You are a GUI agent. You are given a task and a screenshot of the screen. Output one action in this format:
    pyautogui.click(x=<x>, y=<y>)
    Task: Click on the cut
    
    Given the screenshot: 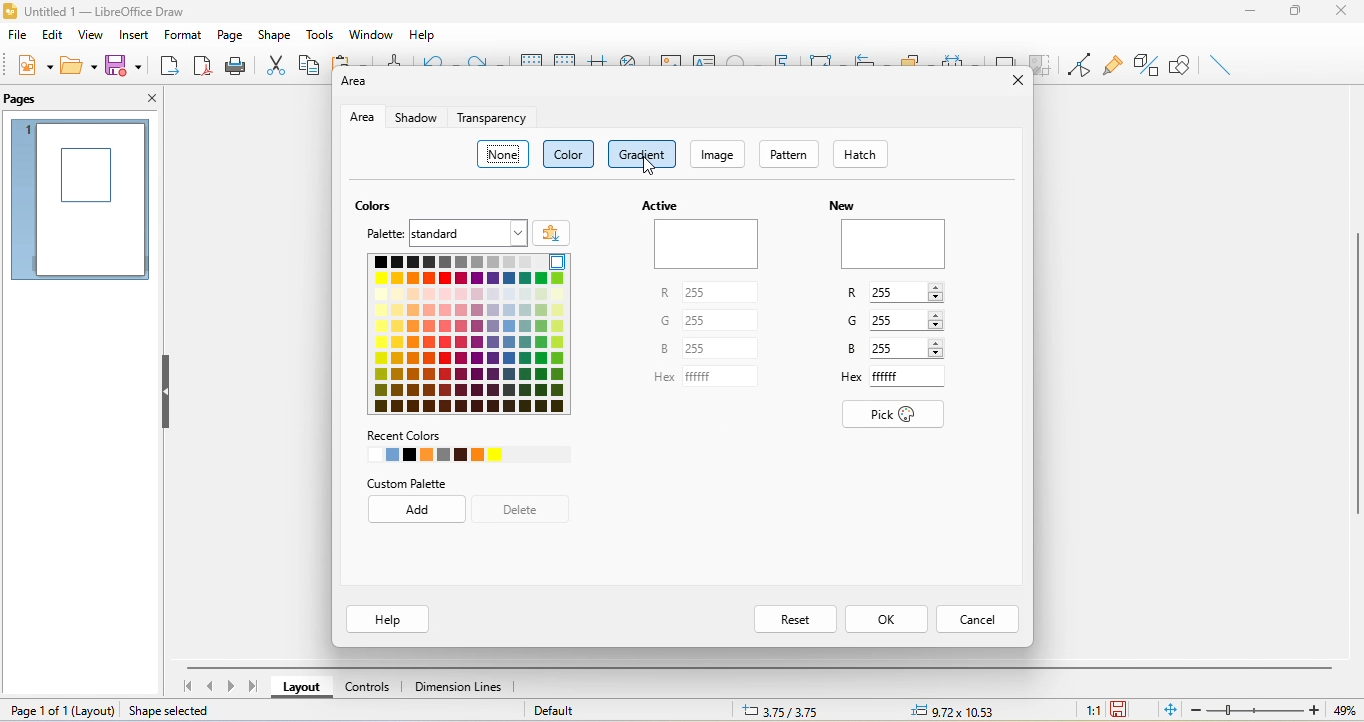 What is the action you would take?
    pyautogui.click(x=277, y=63)
    